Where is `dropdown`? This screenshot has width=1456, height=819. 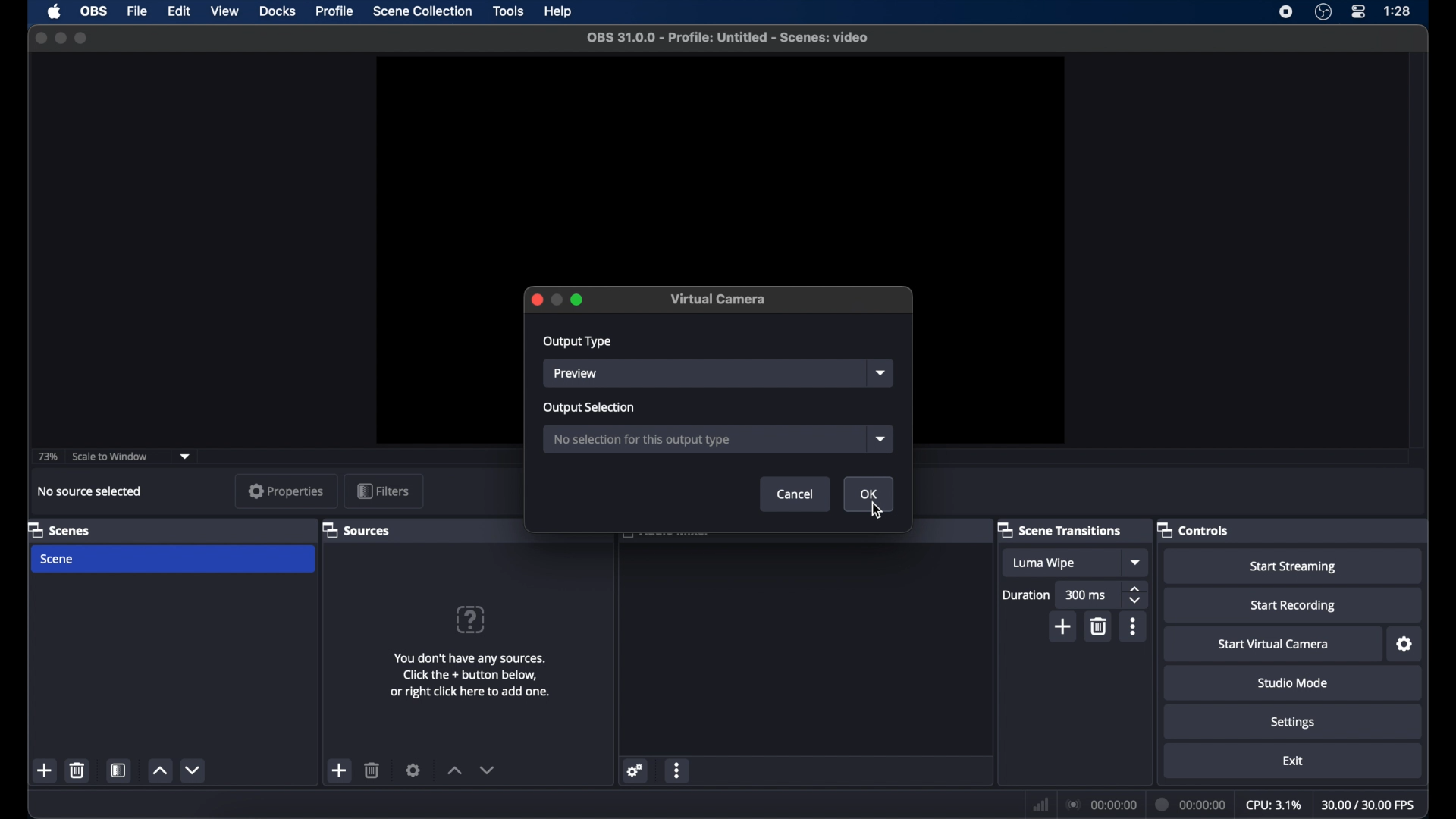
dropdown is located at coordinates (1134, 563).